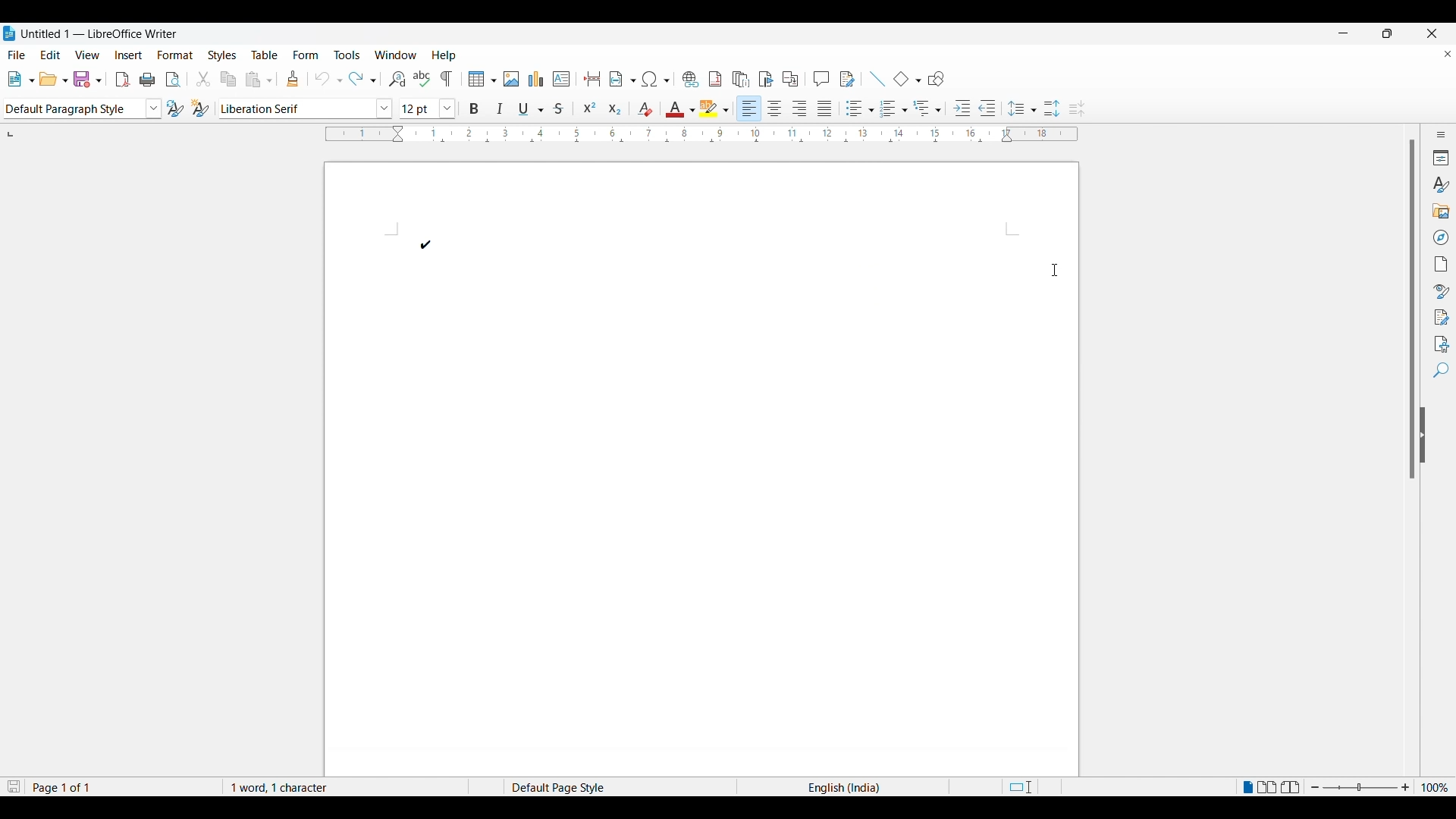 Image resolution: width=1456 pixels, height=819 pixels. What do you see at coordinates (644, 108) in the screenshot?
I see `clear direct formatting` at bounding box center [644, 108].